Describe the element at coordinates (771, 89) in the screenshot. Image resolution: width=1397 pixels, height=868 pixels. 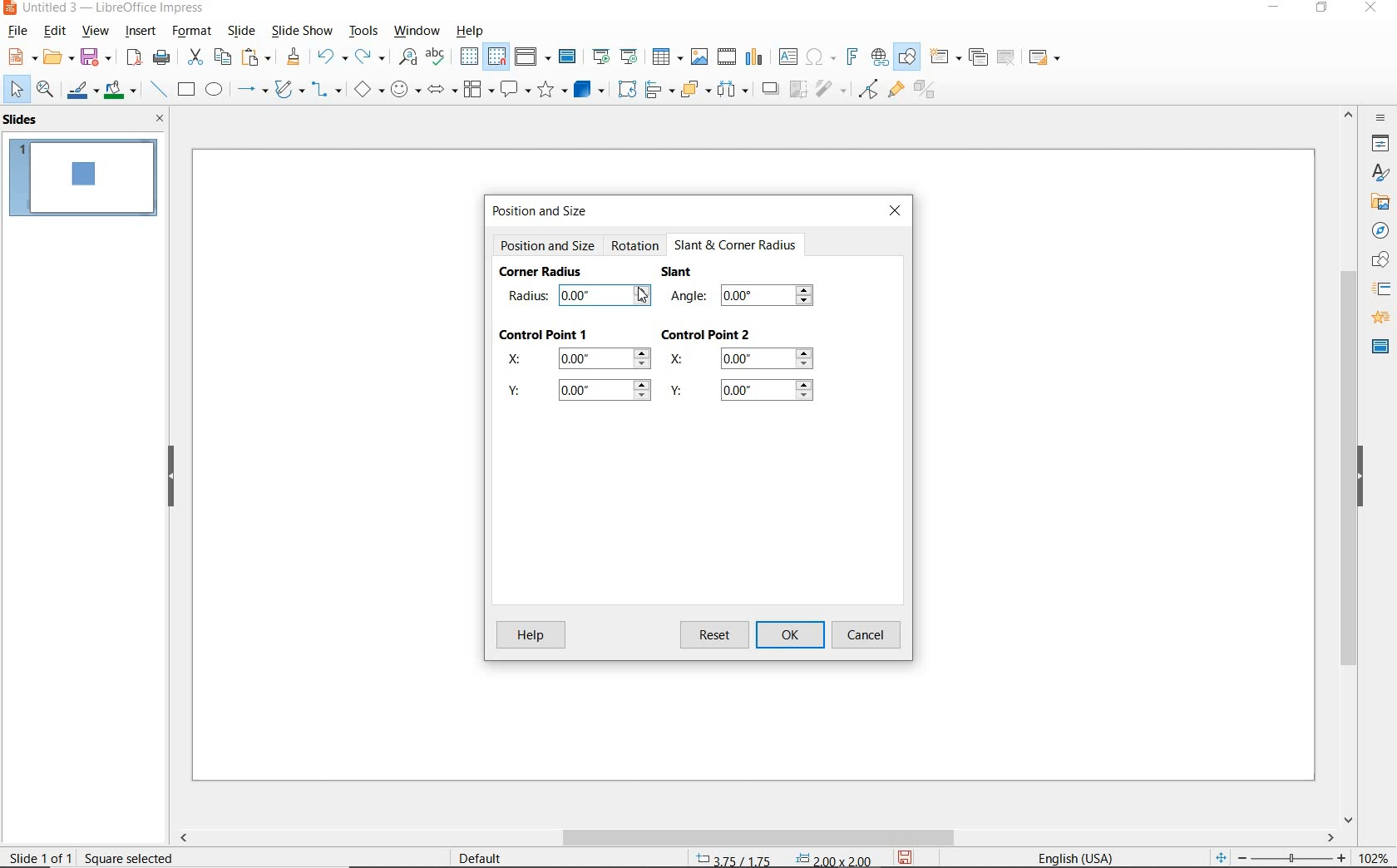
I see `shadow` at that location.